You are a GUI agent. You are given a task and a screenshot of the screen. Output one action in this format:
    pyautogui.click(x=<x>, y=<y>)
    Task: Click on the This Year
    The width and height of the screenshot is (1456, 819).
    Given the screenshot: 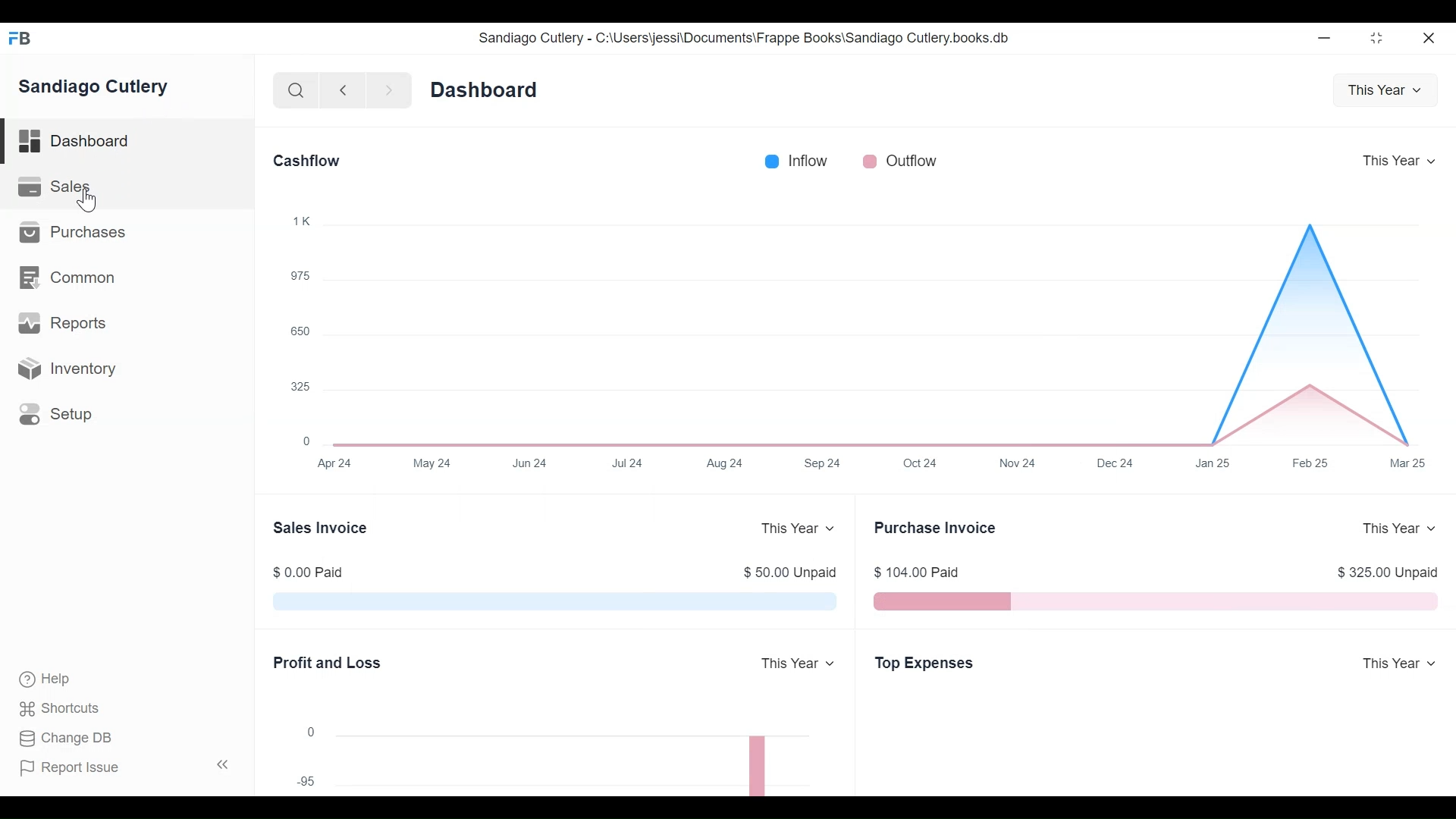 What is the action you would take?
    pyautogui.click(x=1404, y=160)
    